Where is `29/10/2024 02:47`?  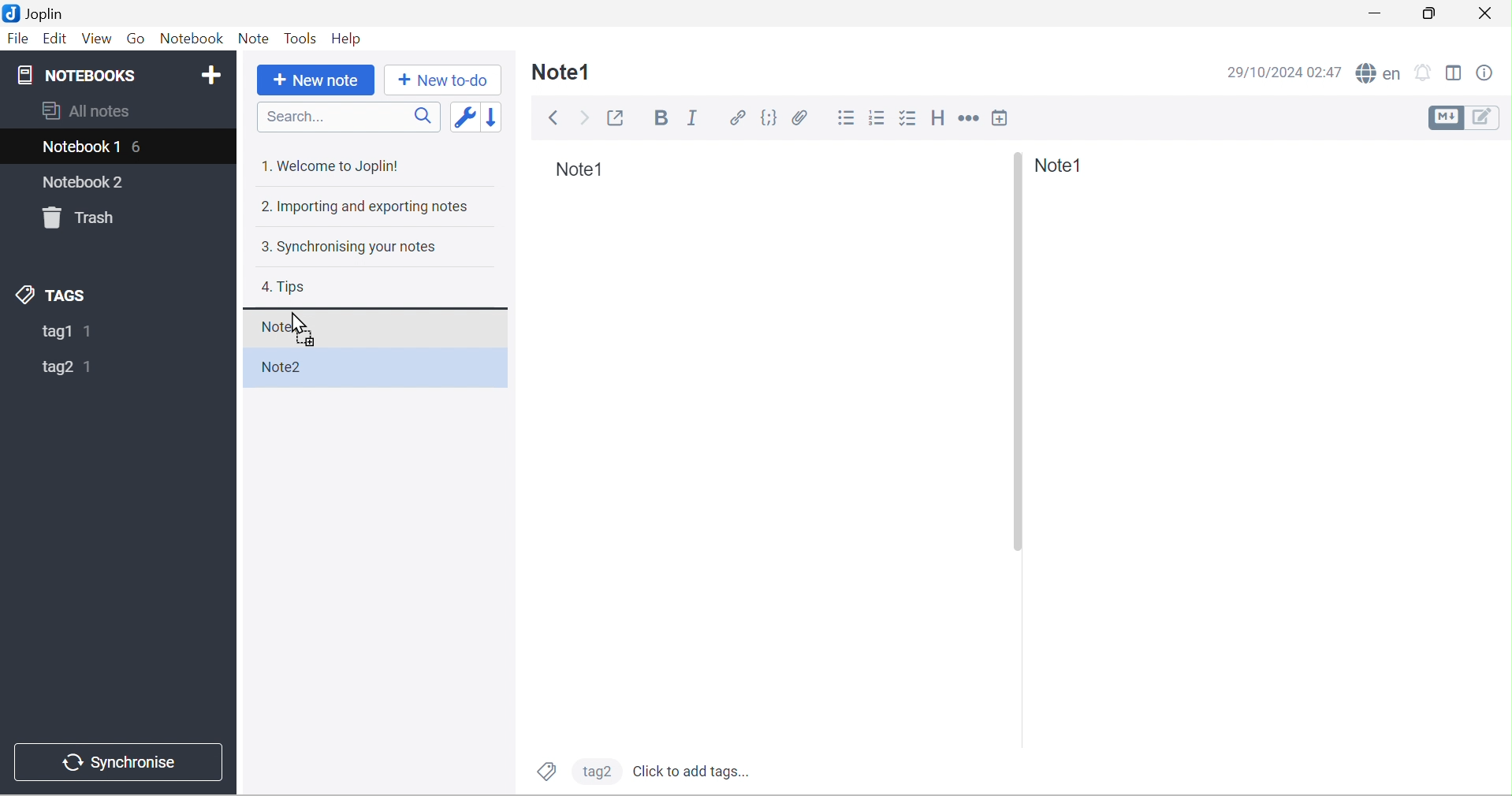 29/10/2024 02:47 is located at coordinates (1282, 72).